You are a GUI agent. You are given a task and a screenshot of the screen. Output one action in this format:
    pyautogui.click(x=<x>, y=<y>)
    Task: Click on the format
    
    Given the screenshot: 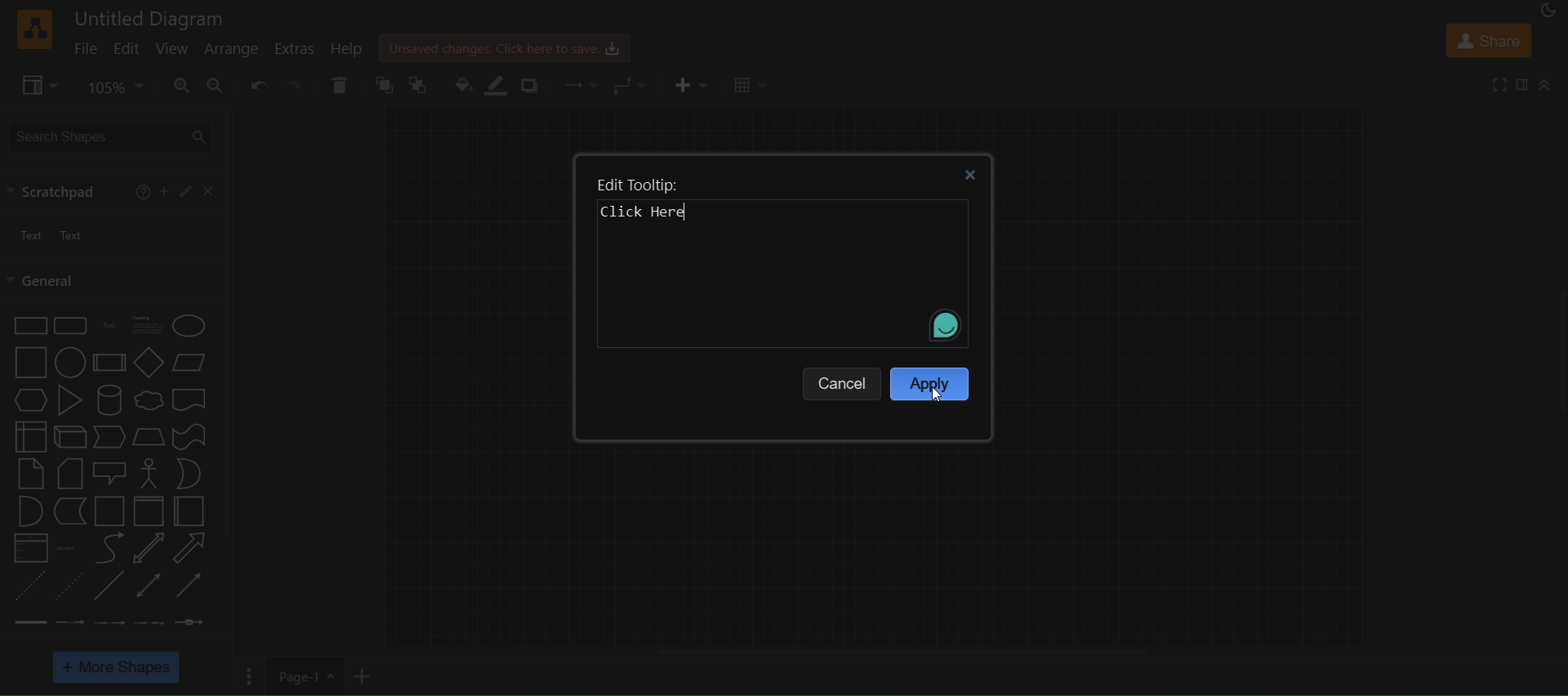 What is the action you would take?
    pyautogui.click(x=1521, y=83)
    